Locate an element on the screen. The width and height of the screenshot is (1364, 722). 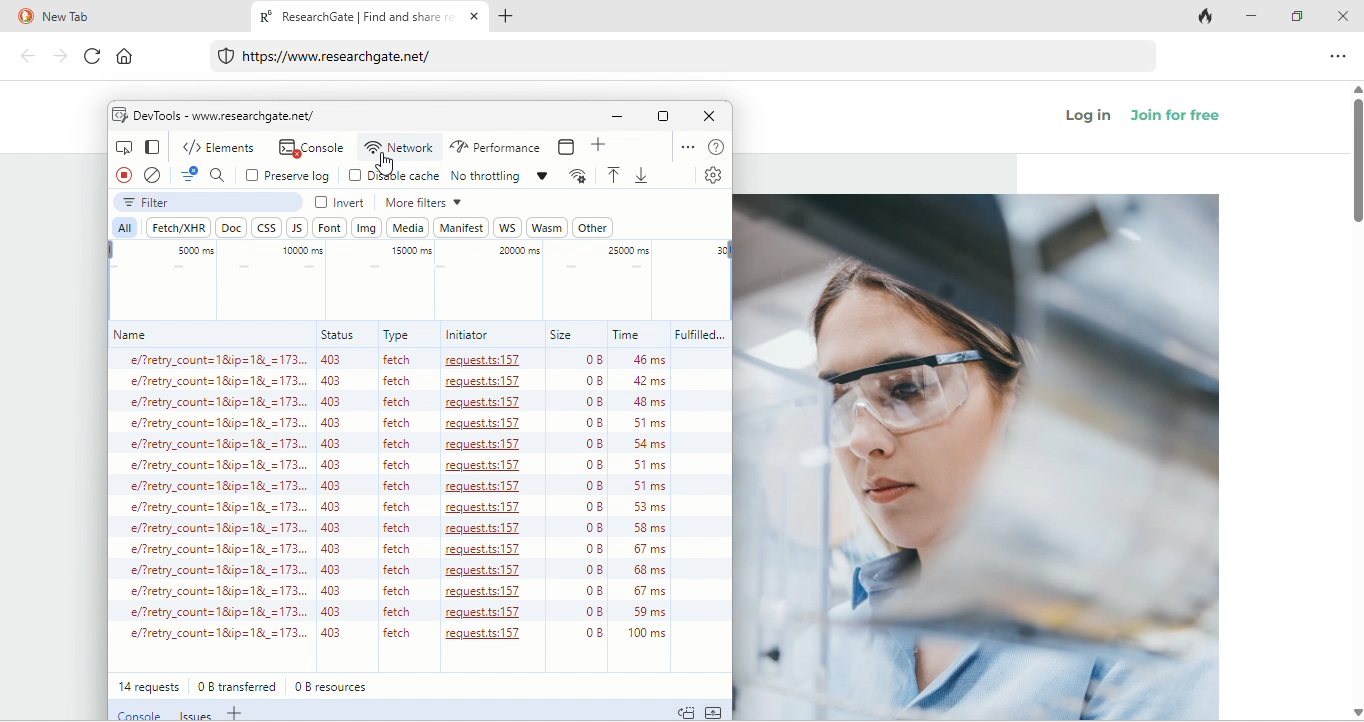
0 b resources is located at coordinates (336, 686).